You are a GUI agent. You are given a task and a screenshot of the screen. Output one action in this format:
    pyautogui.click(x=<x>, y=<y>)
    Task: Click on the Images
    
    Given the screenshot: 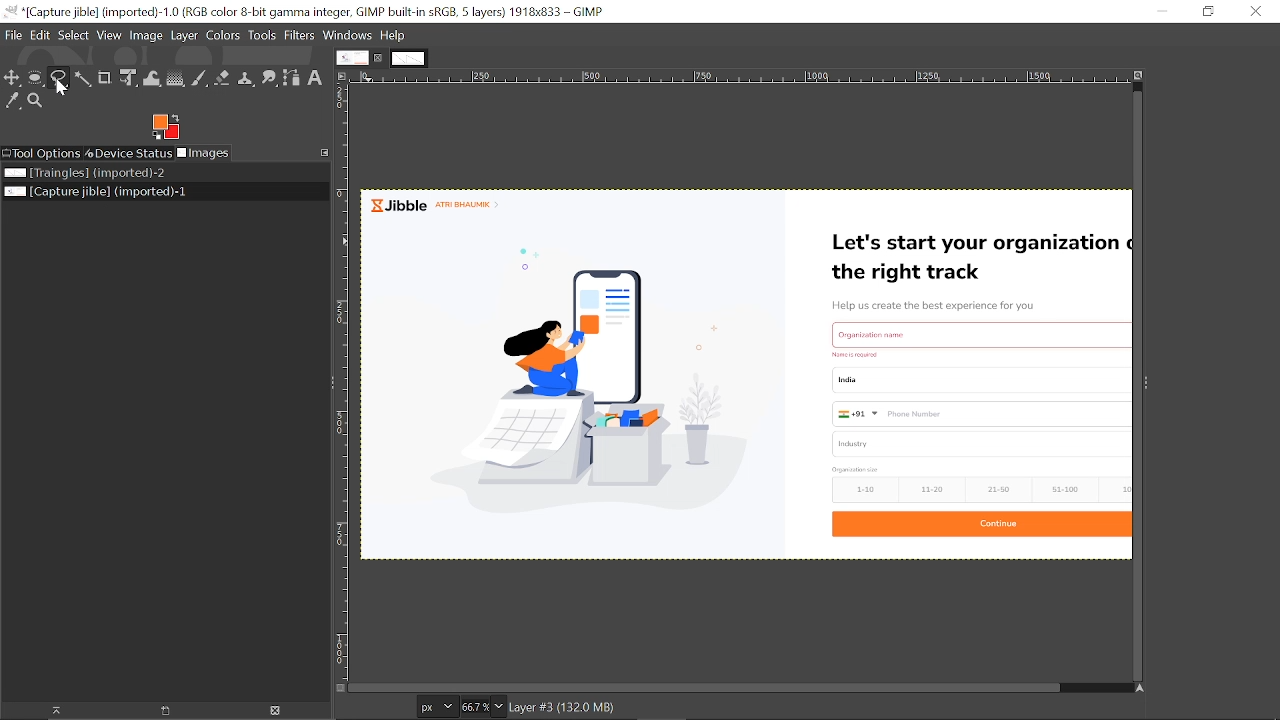 What is the action you would take?
    pyautogui.click(x=203, y=153)
    